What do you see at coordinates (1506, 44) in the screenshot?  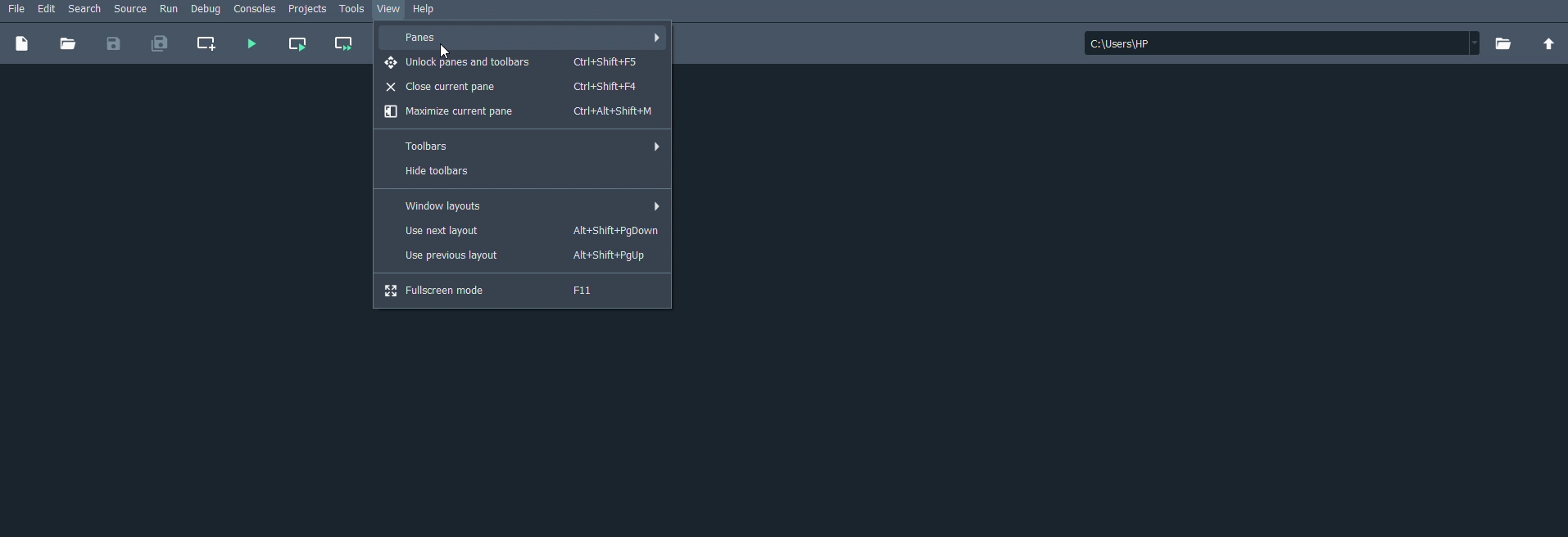 I see `Browse a working directory` at bounding box center [1506, 44].